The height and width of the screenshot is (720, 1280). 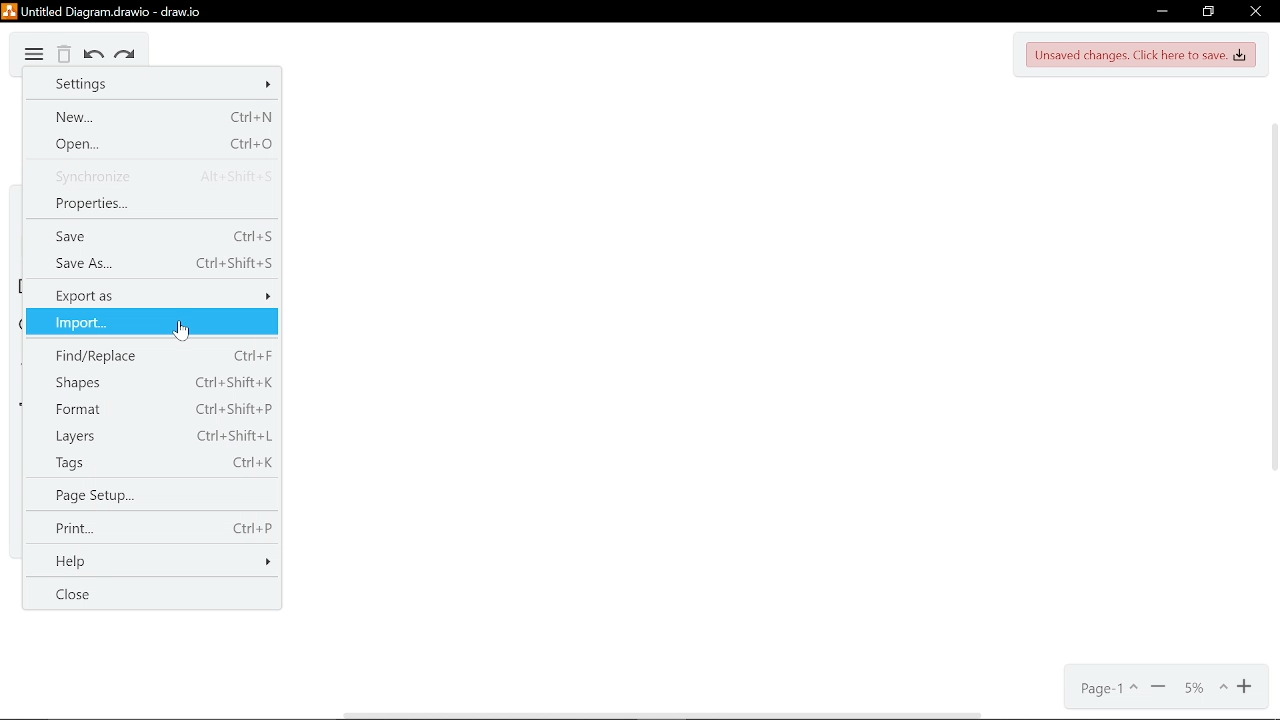 I want to click on Save as (shortcut Ctrl+Shift+S), so click(x=151, y=263).